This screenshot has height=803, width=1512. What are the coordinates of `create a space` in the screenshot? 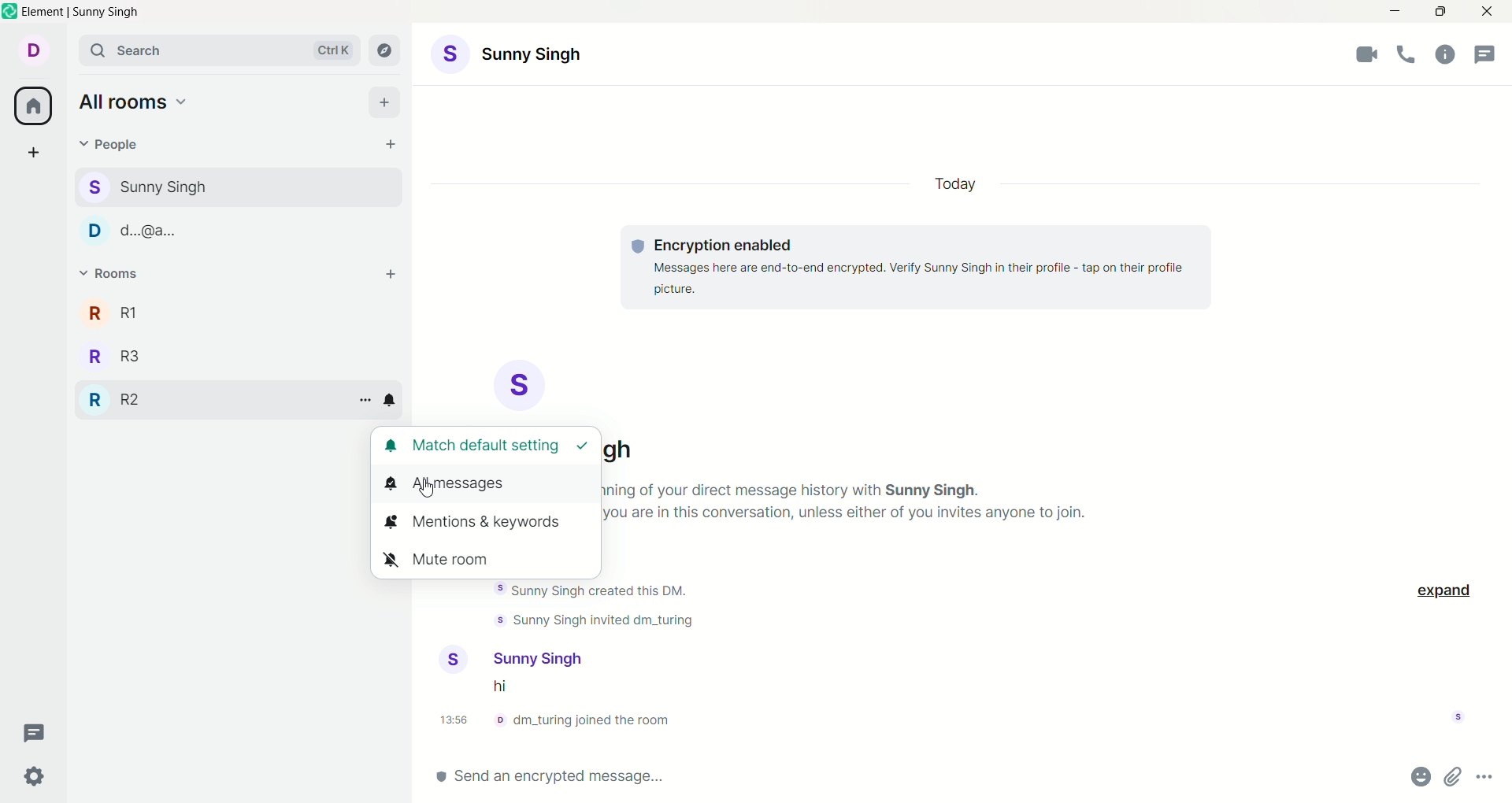 It's located at (36, 152).